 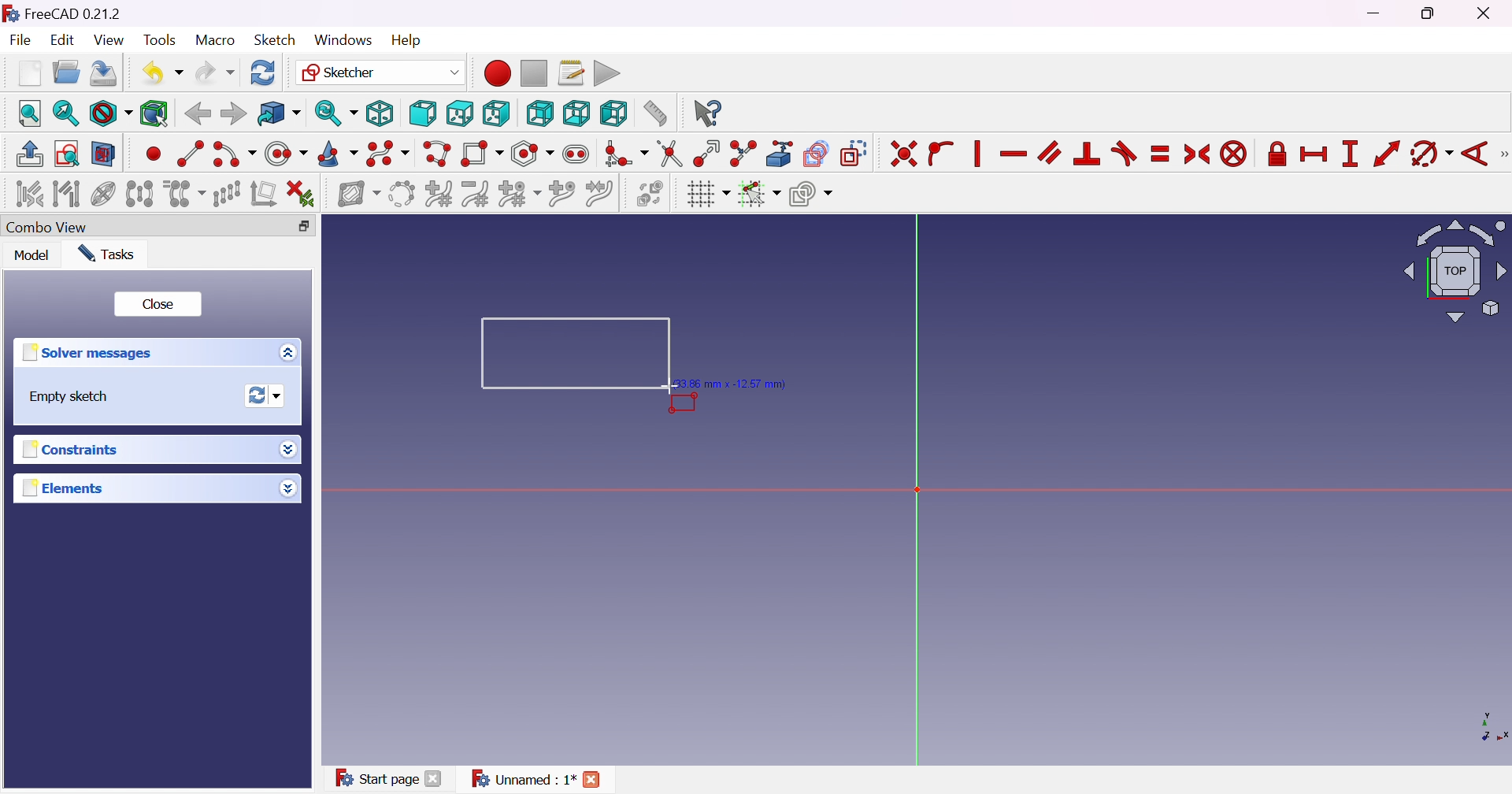 I want to click on Constrain perpendicular, so click(x=1088, y=154).